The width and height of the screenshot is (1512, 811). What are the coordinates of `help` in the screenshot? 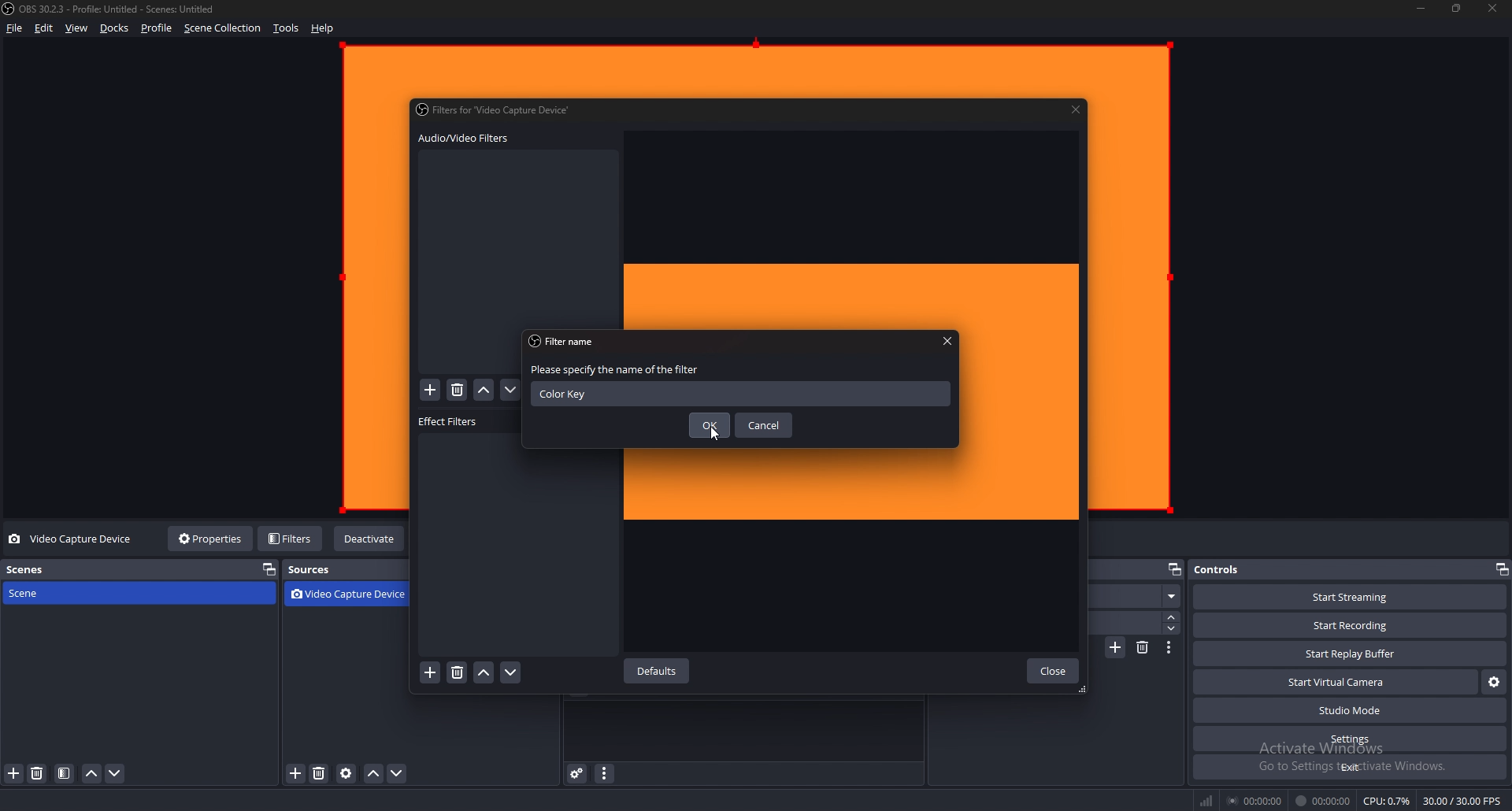 It's located at (323, 28).